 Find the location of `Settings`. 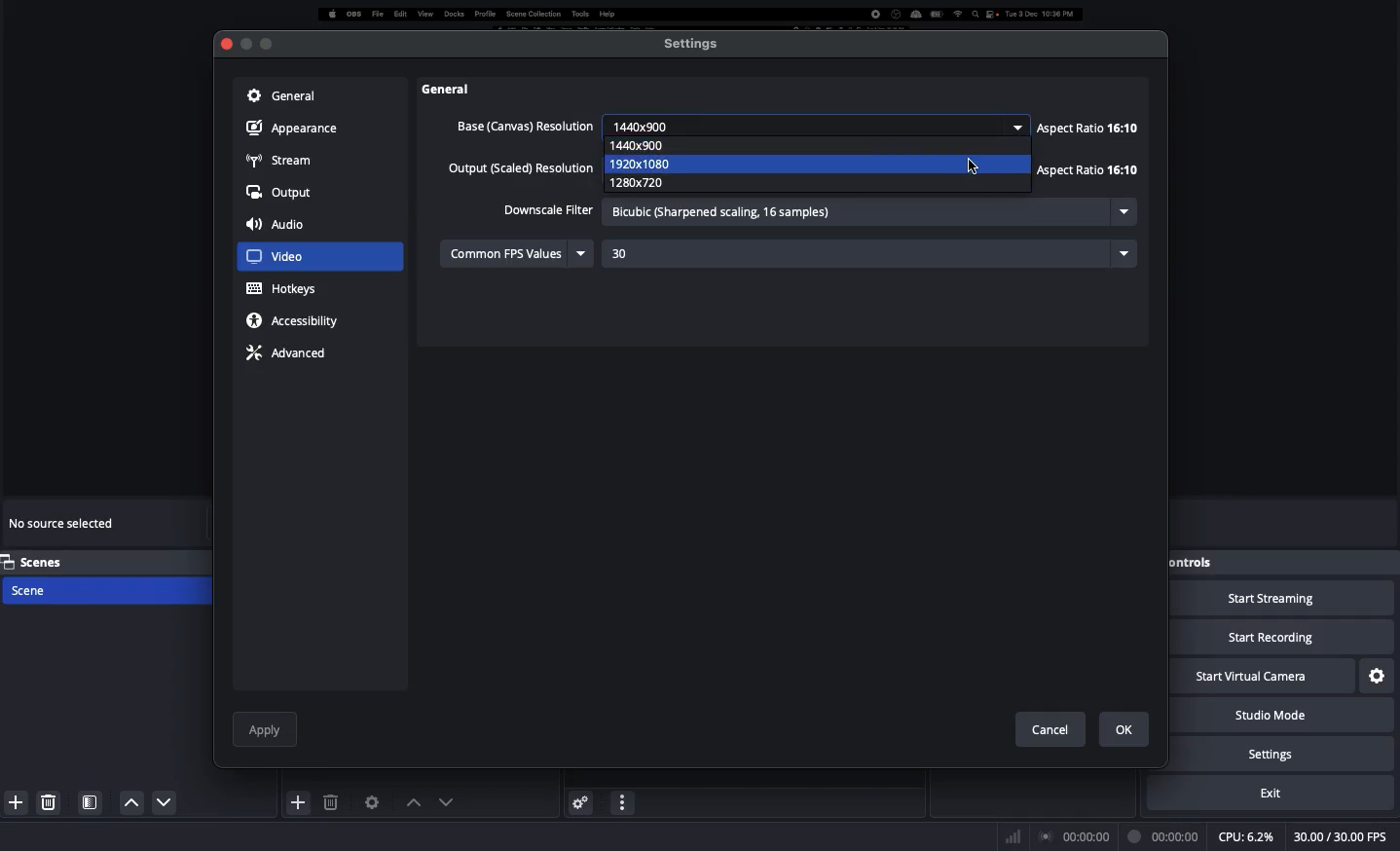

Settings is located at coordinates (1379, 674).